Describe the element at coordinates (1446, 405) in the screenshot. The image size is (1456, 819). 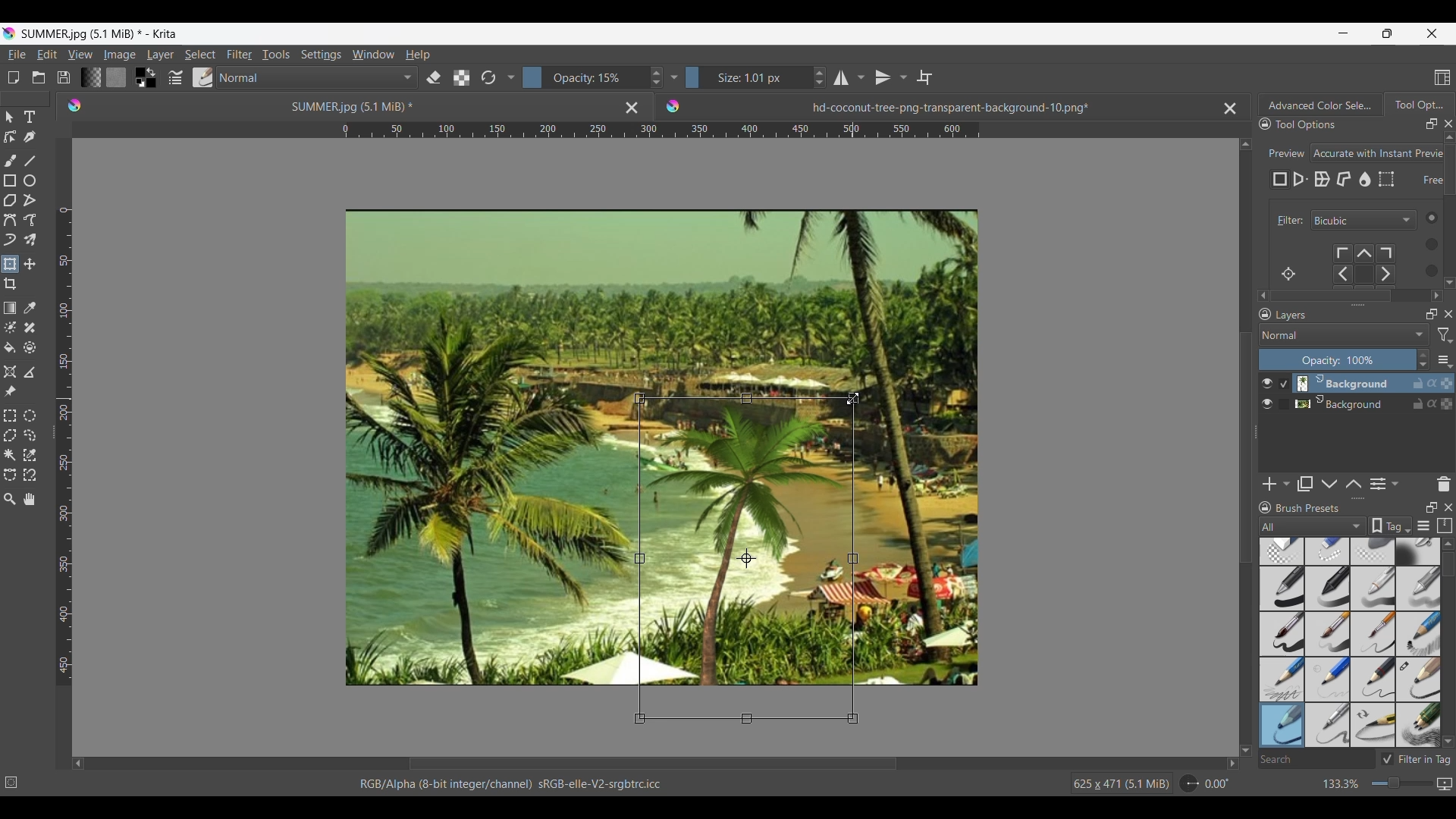
I see `Maximize` at that location.